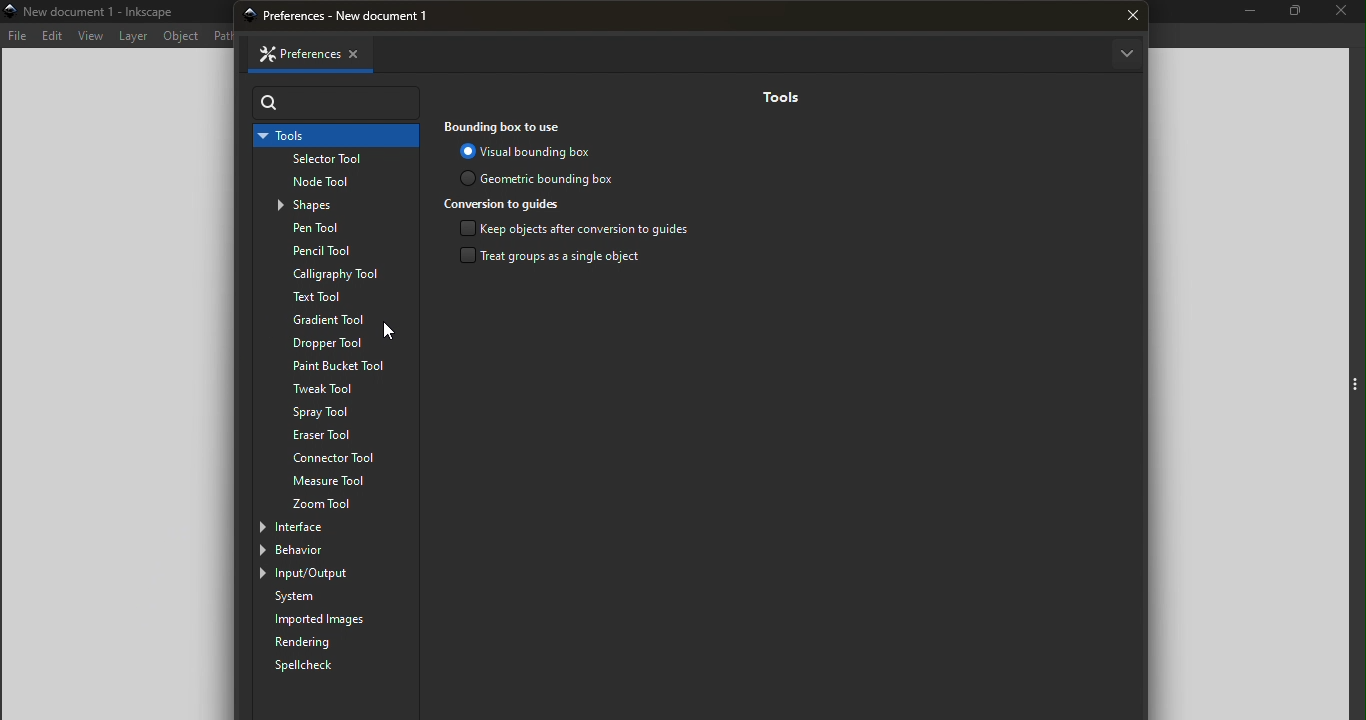 This screenshot has width=1366, height=720. I want to click on Preferences, so click(291, 54).